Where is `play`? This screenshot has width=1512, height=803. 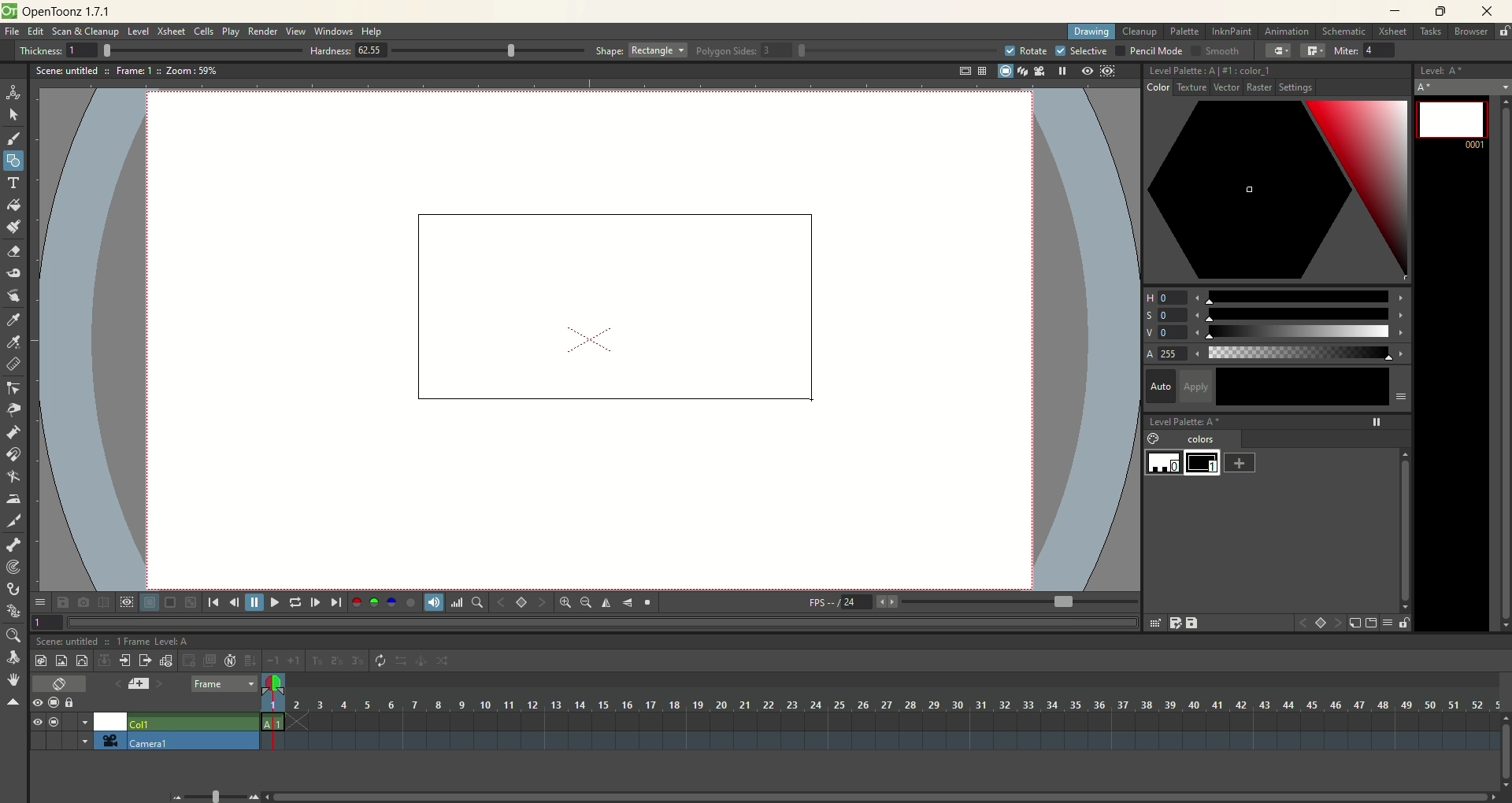
play is located at coordinates (272, 602).